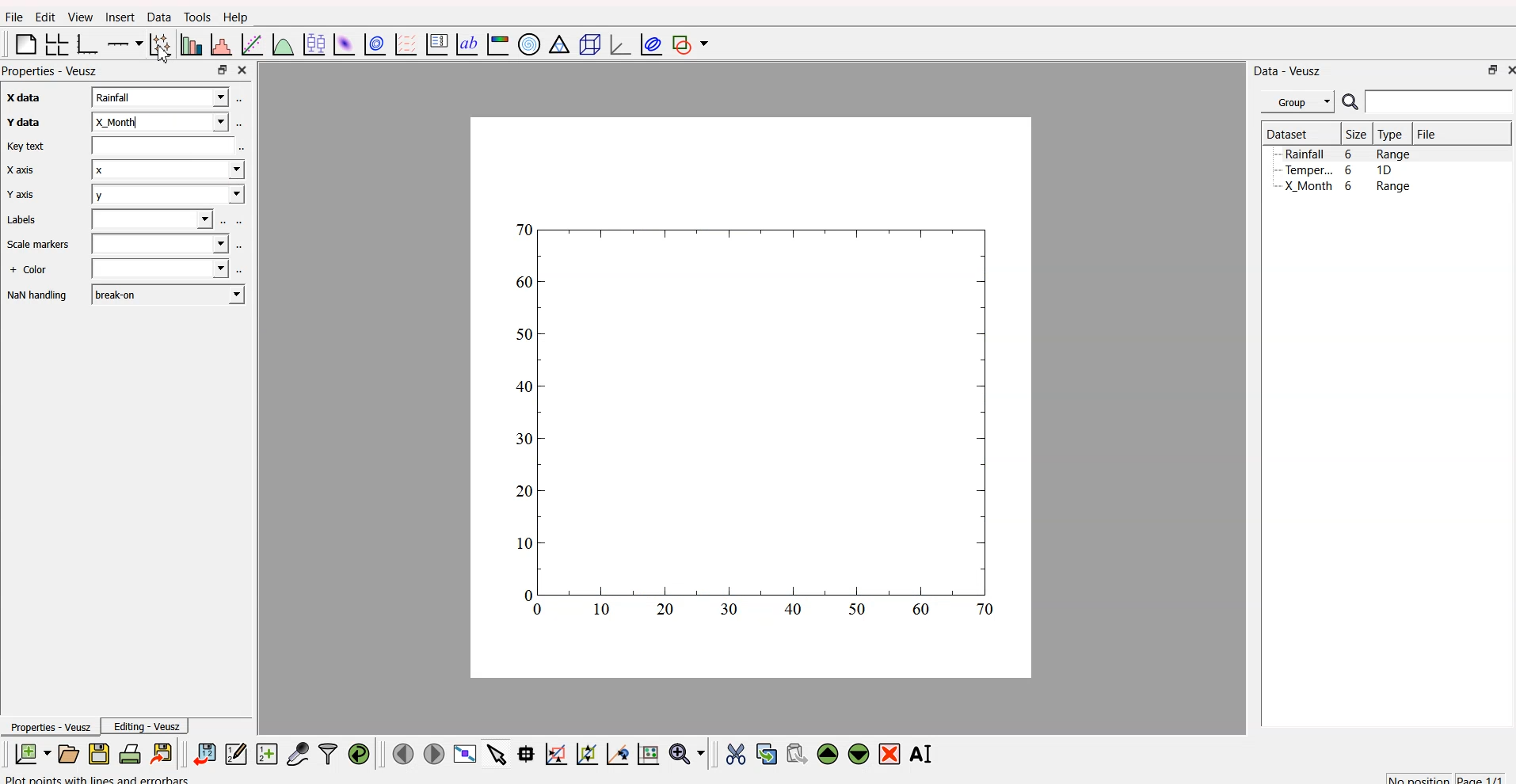 The width and height of the screenshot is (1516, 784). What do you see at coordinates (235, 17) in the screenshot?
I see `Help` at bounding box center [235, 17].